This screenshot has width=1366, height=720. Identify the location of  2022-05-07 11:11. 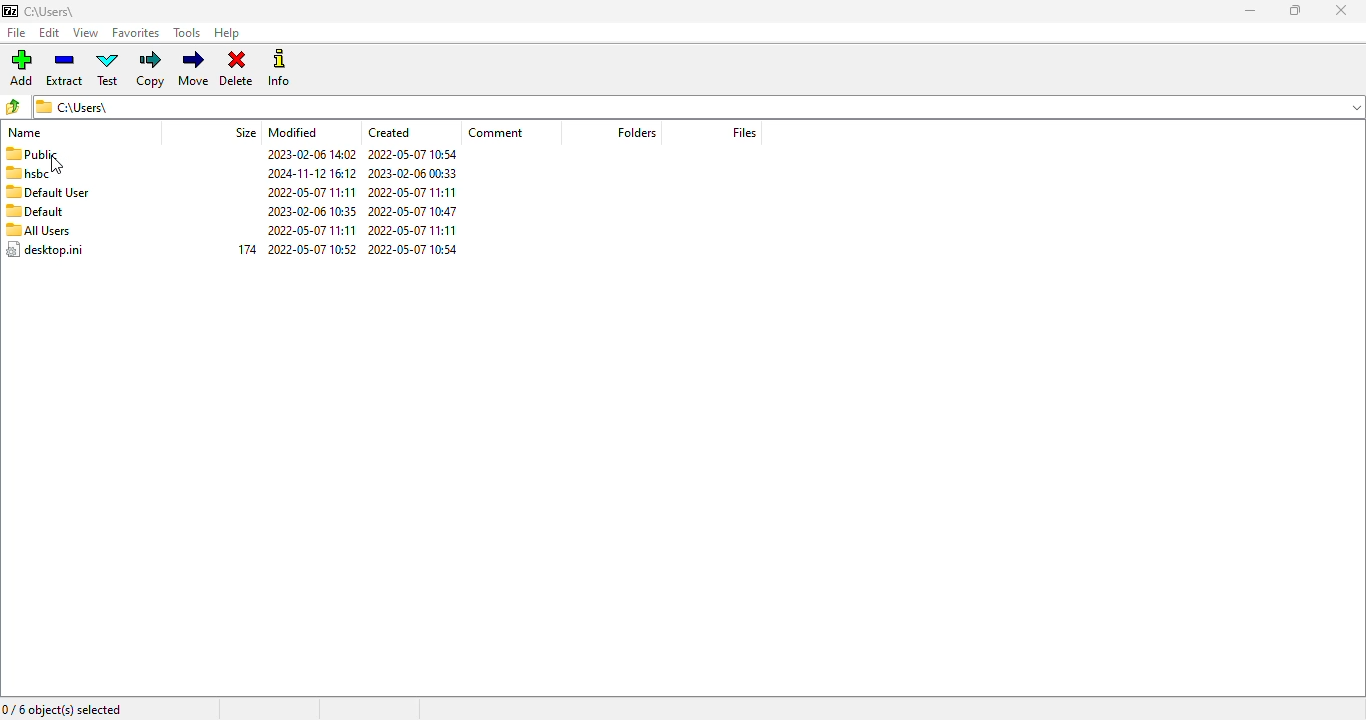
(420, 230).